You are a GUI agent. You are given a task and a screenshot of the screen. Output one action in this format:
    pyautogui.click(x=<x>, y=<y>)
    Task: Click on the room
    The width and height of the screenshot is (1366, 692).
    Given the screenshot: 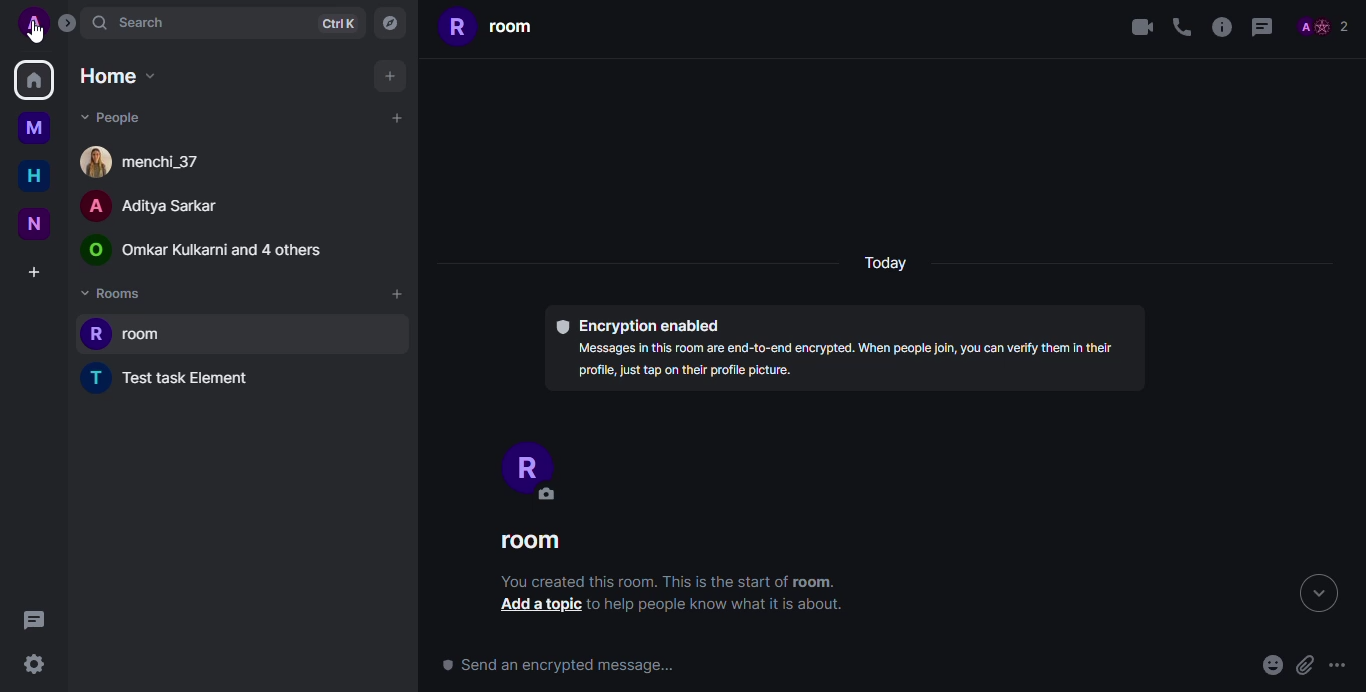 What is the action you would take?
    pyautogui.click(x=131, y=334)
    